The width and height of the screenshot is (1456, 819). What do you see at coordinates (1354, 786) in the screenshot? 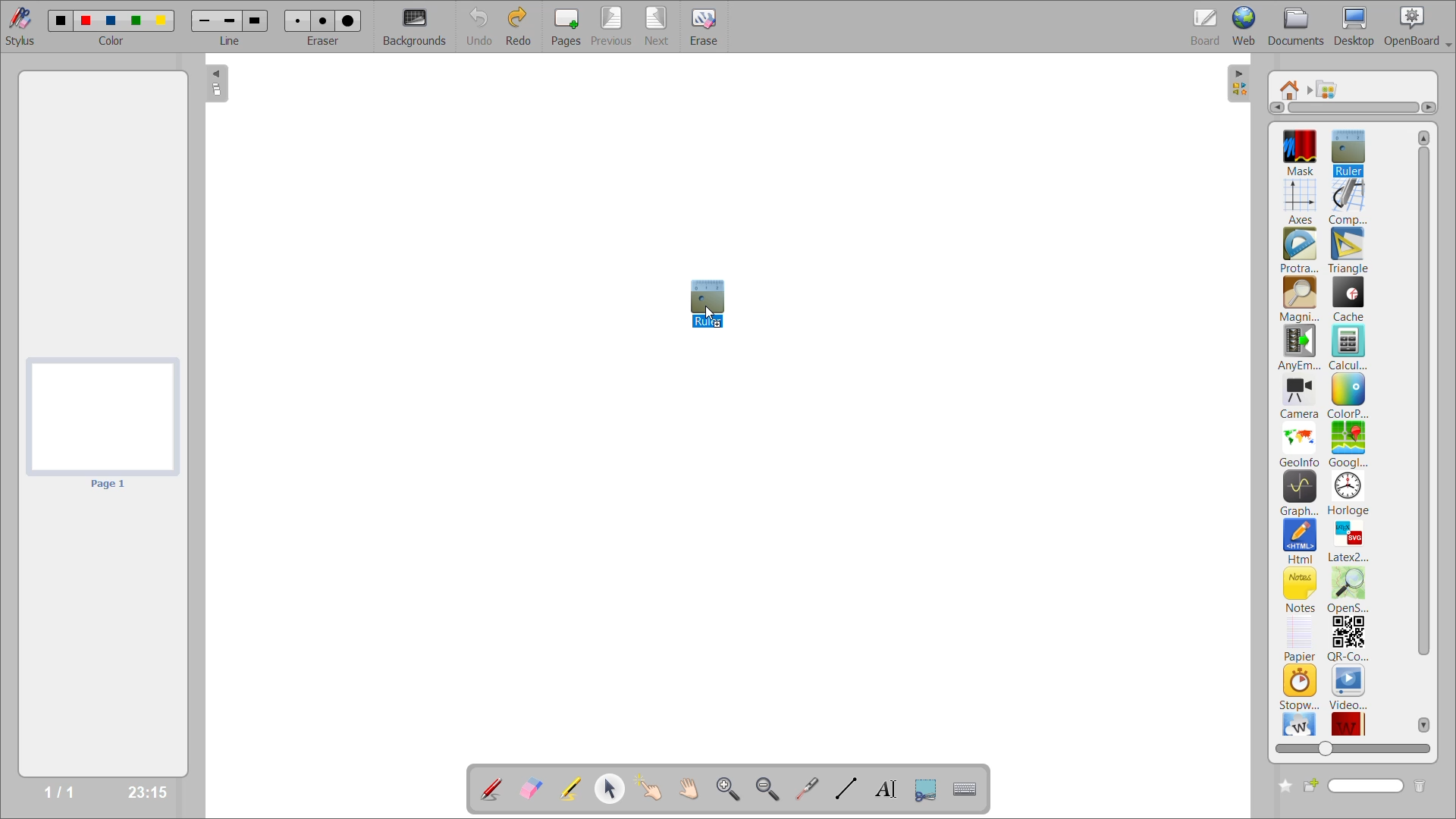
I see `name box` at bounding box center [1354, 786].